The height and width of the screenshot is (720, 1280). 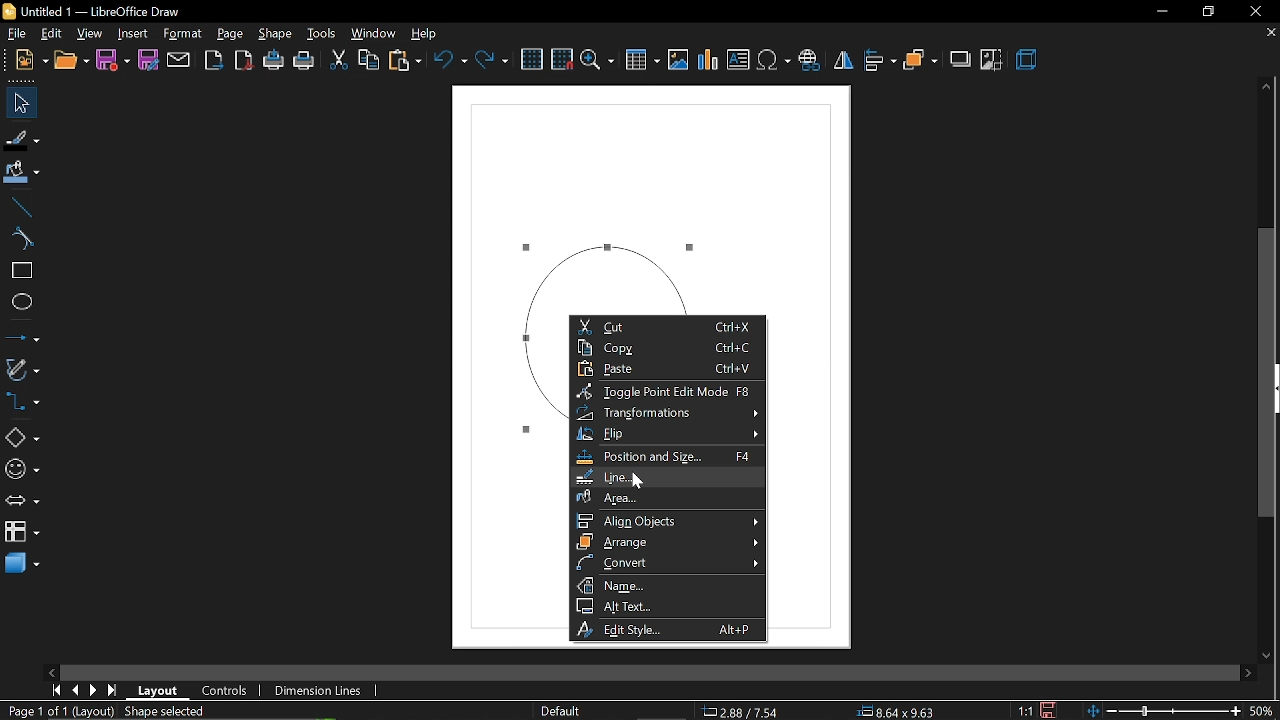 What do you see at coordinates (1206, 13) in the screenshot?
I see `restore down` at bounding box center [1206, 13].